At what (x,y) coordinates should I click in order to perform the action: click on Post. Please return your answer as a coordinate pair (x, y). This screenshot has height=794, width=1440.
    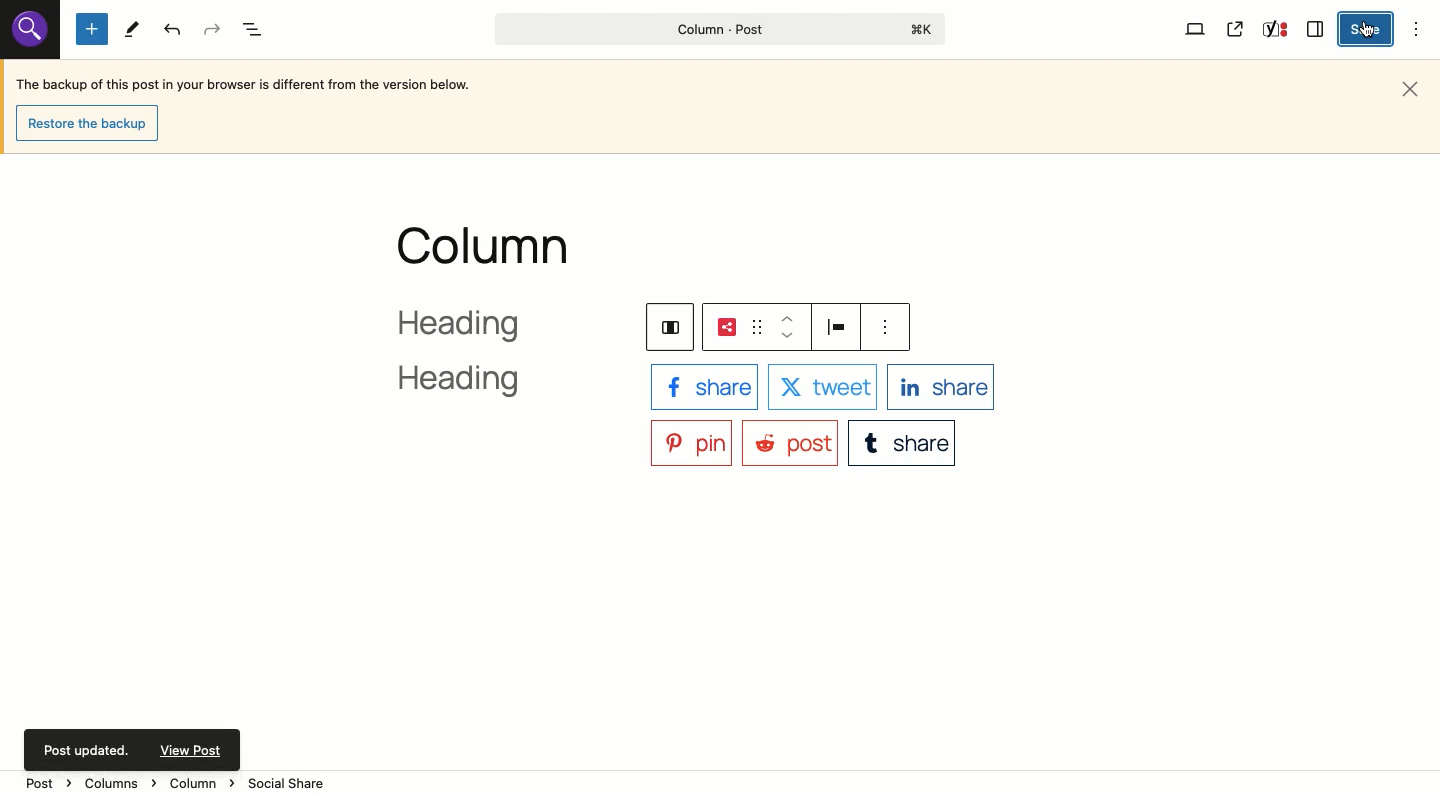
    Looking at the image, I should click on (789, 442).